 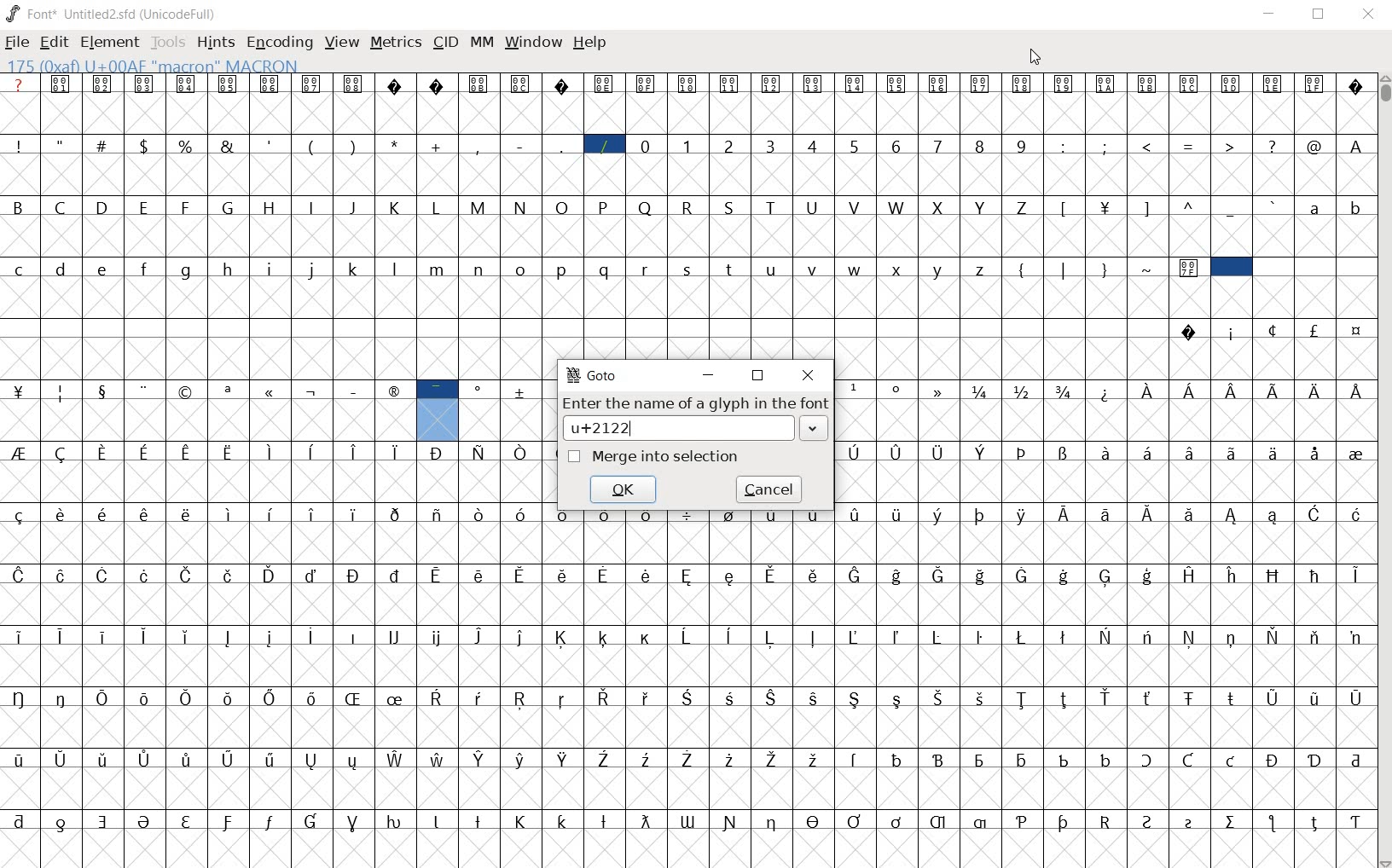 What do you see at coordinates (594, 376) in the screenshot?
I see `GoTo` at bounding box center [594, 376].